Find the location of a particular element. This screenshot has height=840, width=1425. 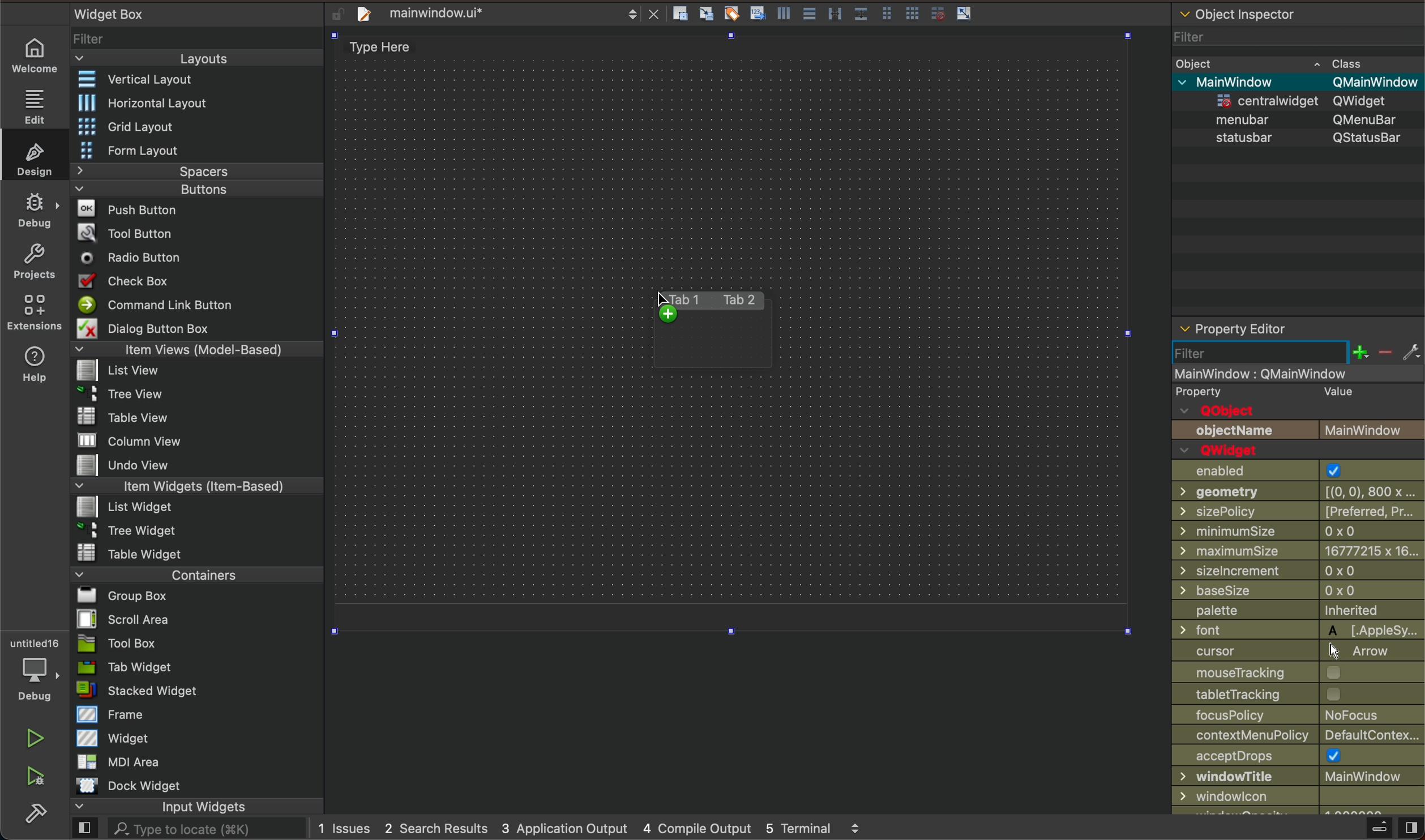

~ Class is located at coordinates (1342, 60).